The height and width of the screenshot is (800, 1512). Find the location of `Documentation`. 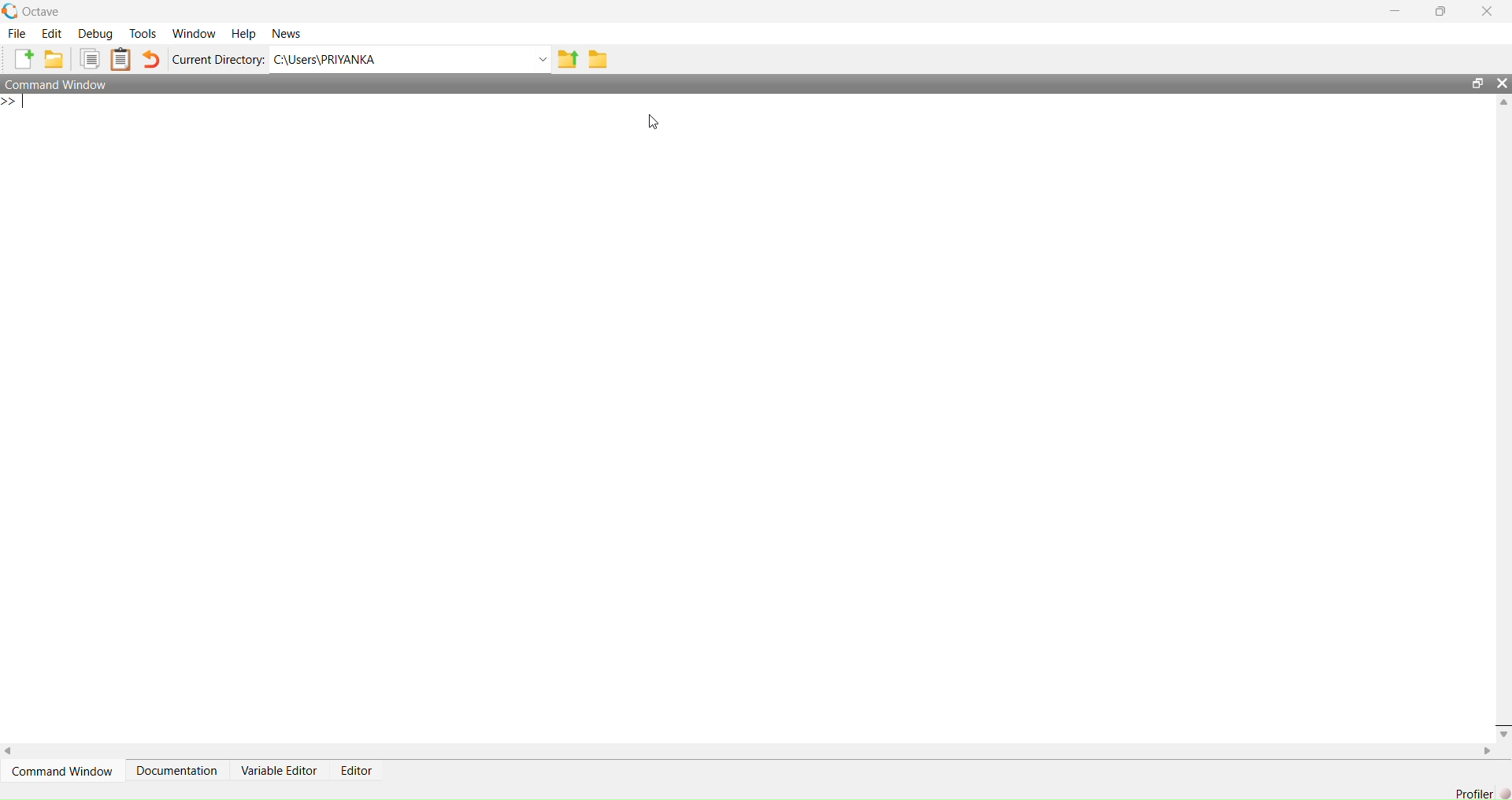

Documentation is located at coordinates (178, 771).